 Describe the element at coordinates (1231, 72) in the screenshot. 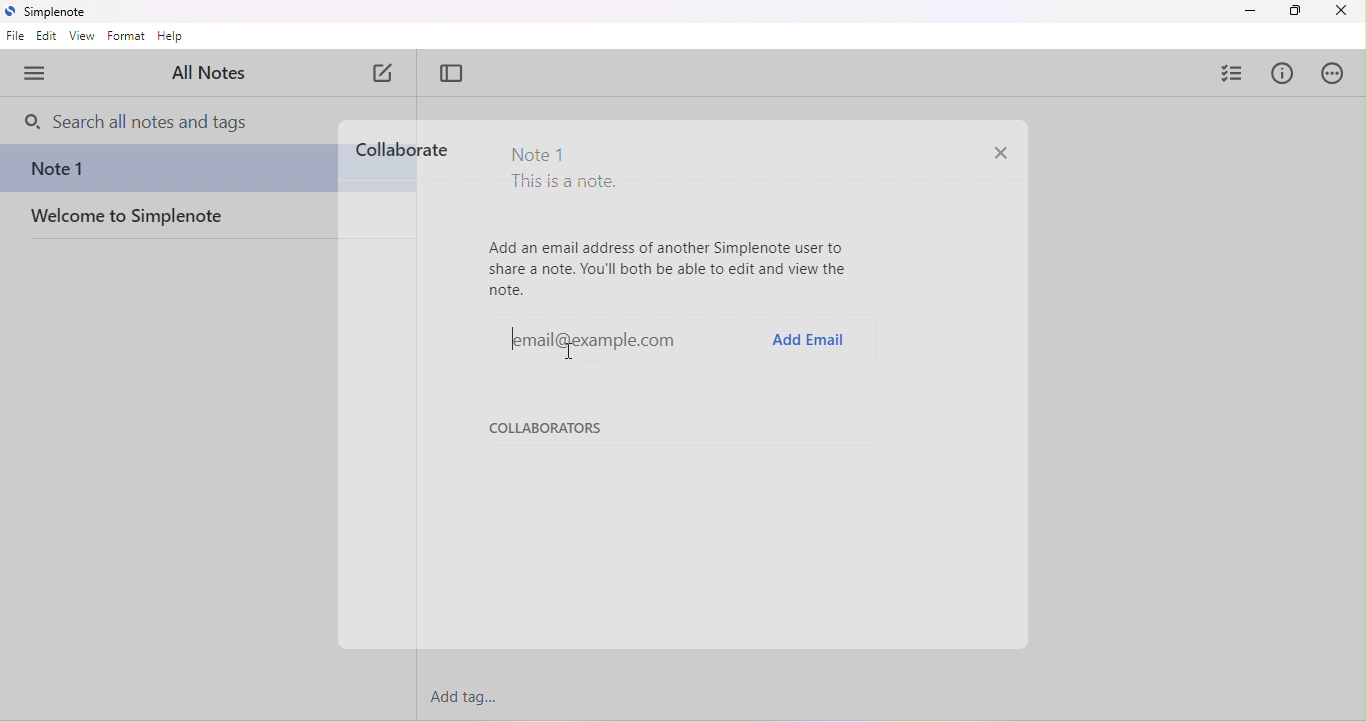

I see `insert checklist` at that location.